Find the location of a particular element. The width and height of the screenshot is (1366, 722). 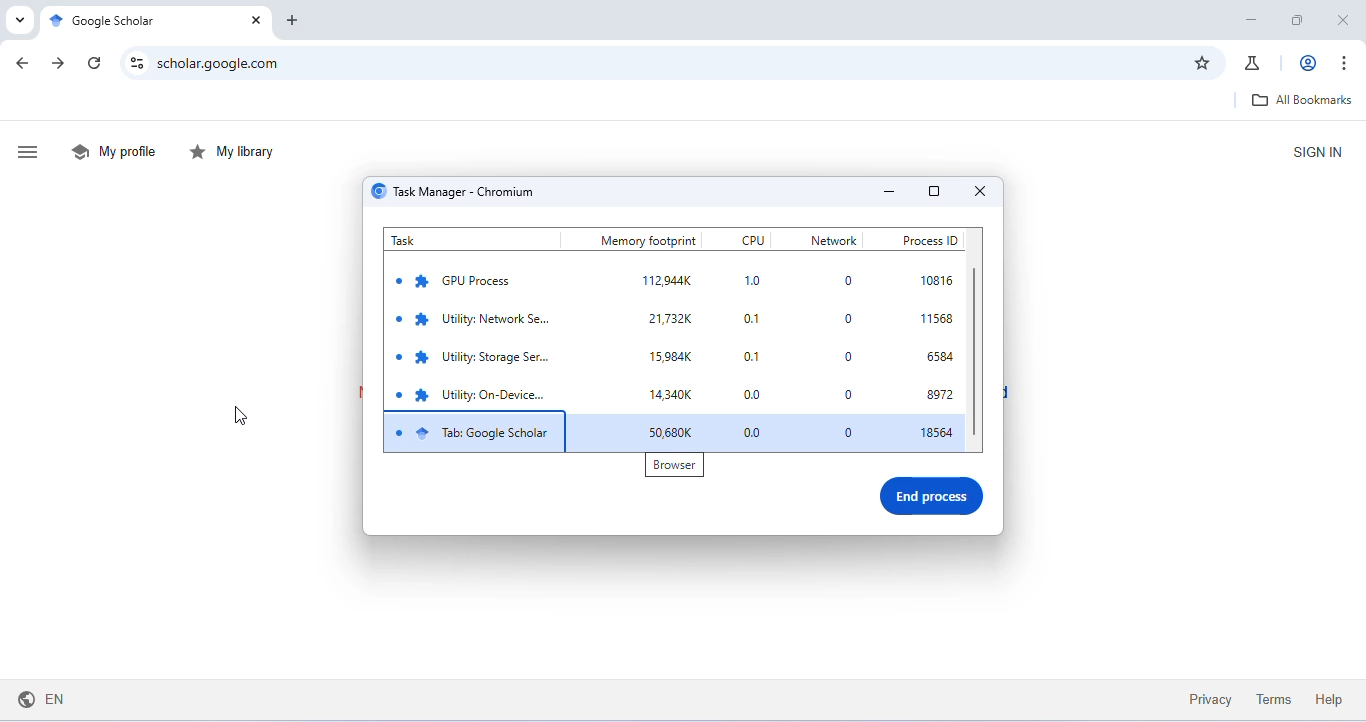

minimize is located at coordinates (886, 190).